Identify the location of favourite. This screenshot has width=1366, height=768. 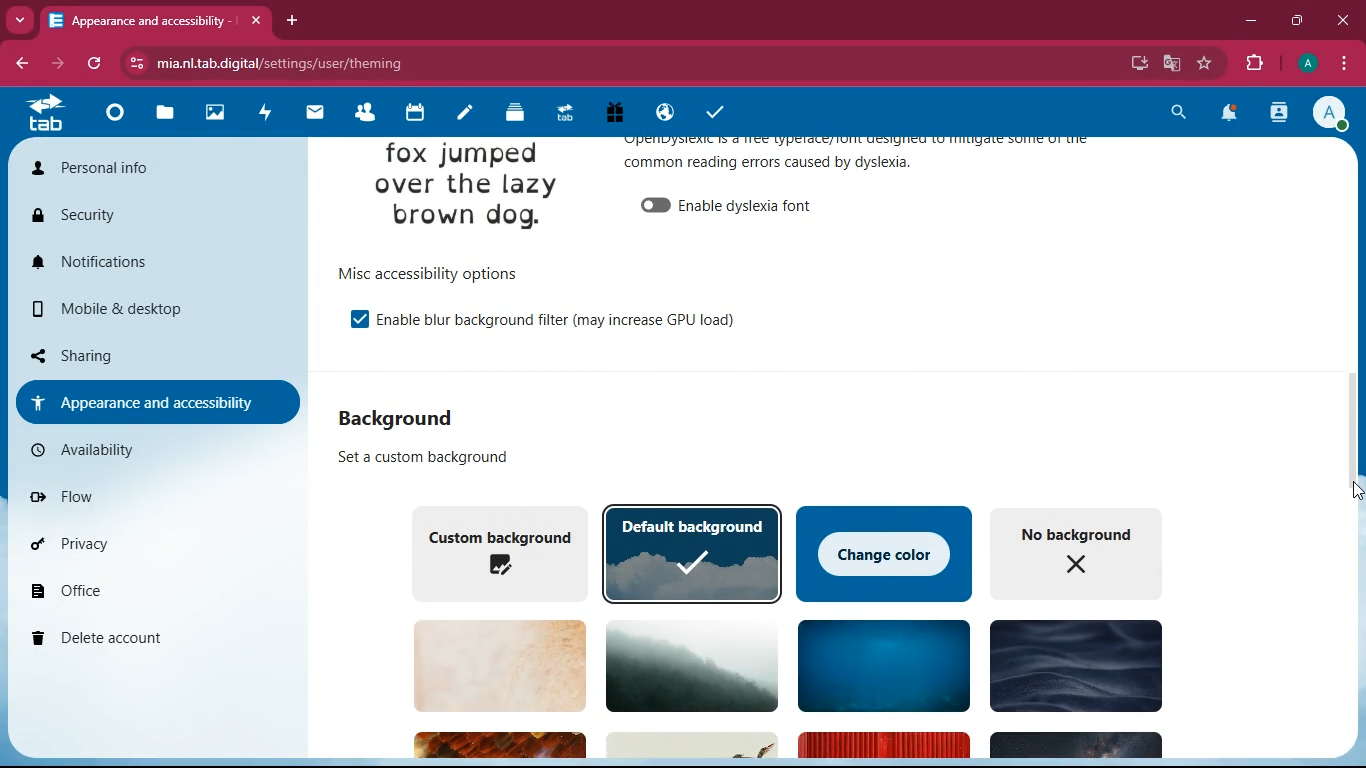
(1202, 64).